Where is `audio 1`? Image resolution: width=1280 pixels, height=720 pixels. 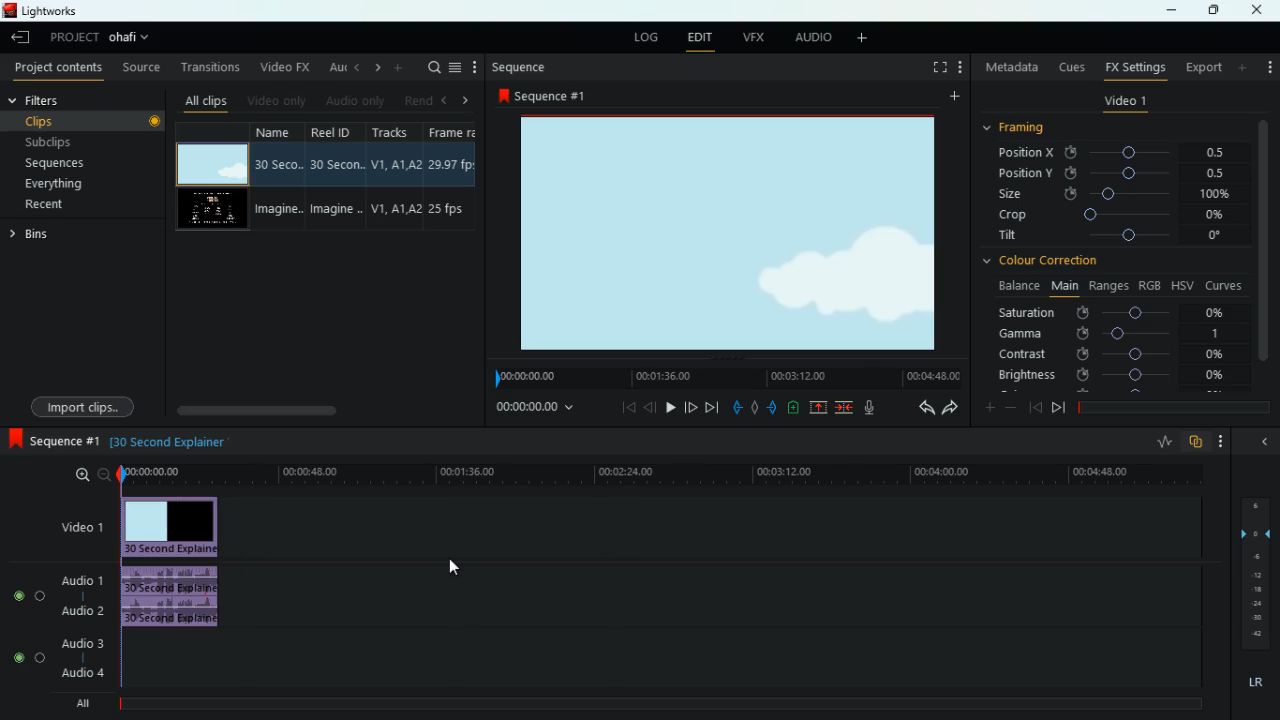 audio 1 is located at coordinates (78, 578).